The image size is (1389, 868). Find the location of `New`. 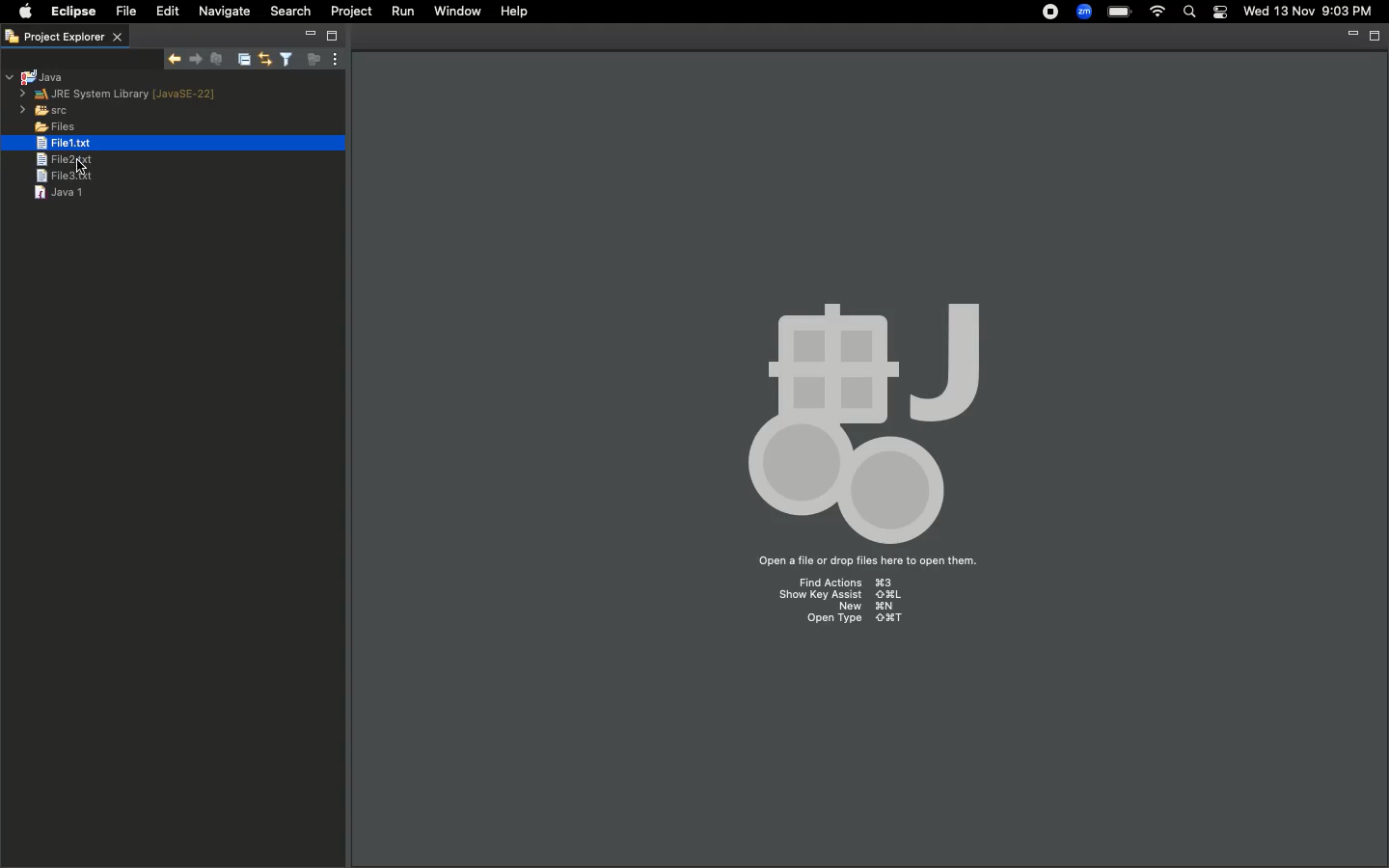

New is located at coordinates (866, 607).